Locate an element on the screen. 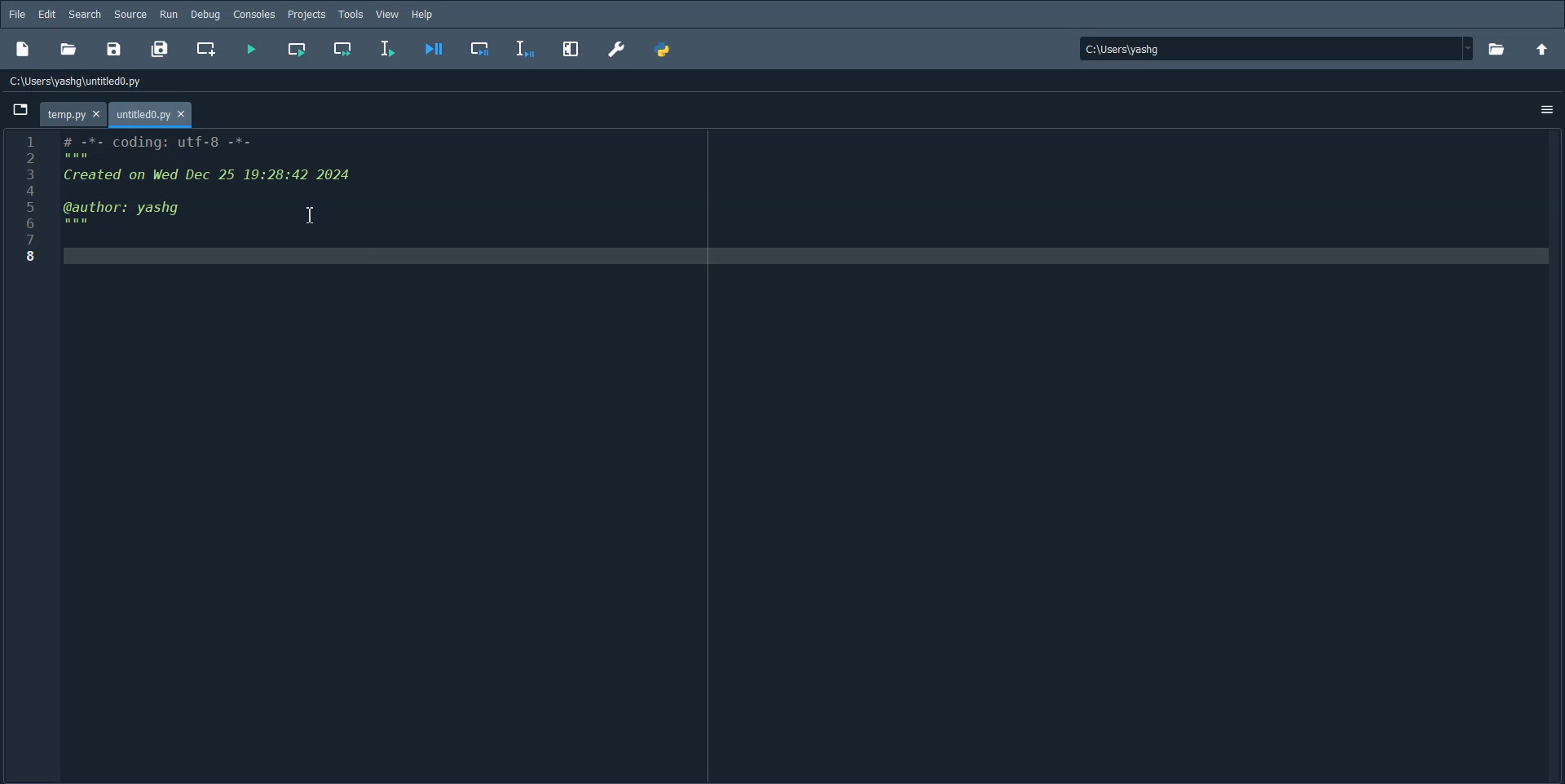 Image resolution: width=1565 pixels, height=784 pixels. Debug cell is located at coordinates (479, 51).